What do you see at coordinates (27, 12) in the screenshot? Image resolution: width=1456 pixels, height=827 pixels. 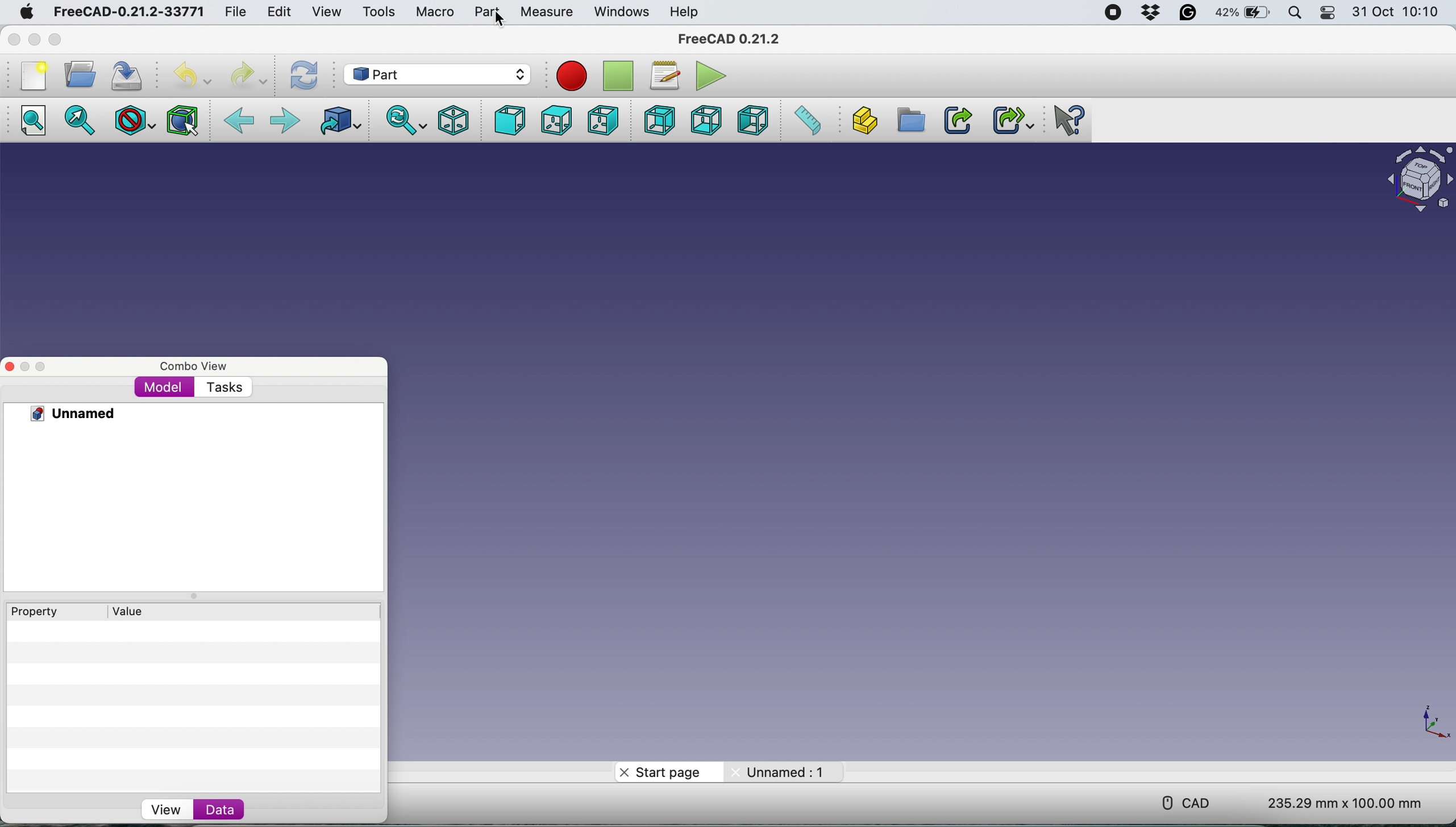 I see `Apple logo` at bounding box center [27, 12].